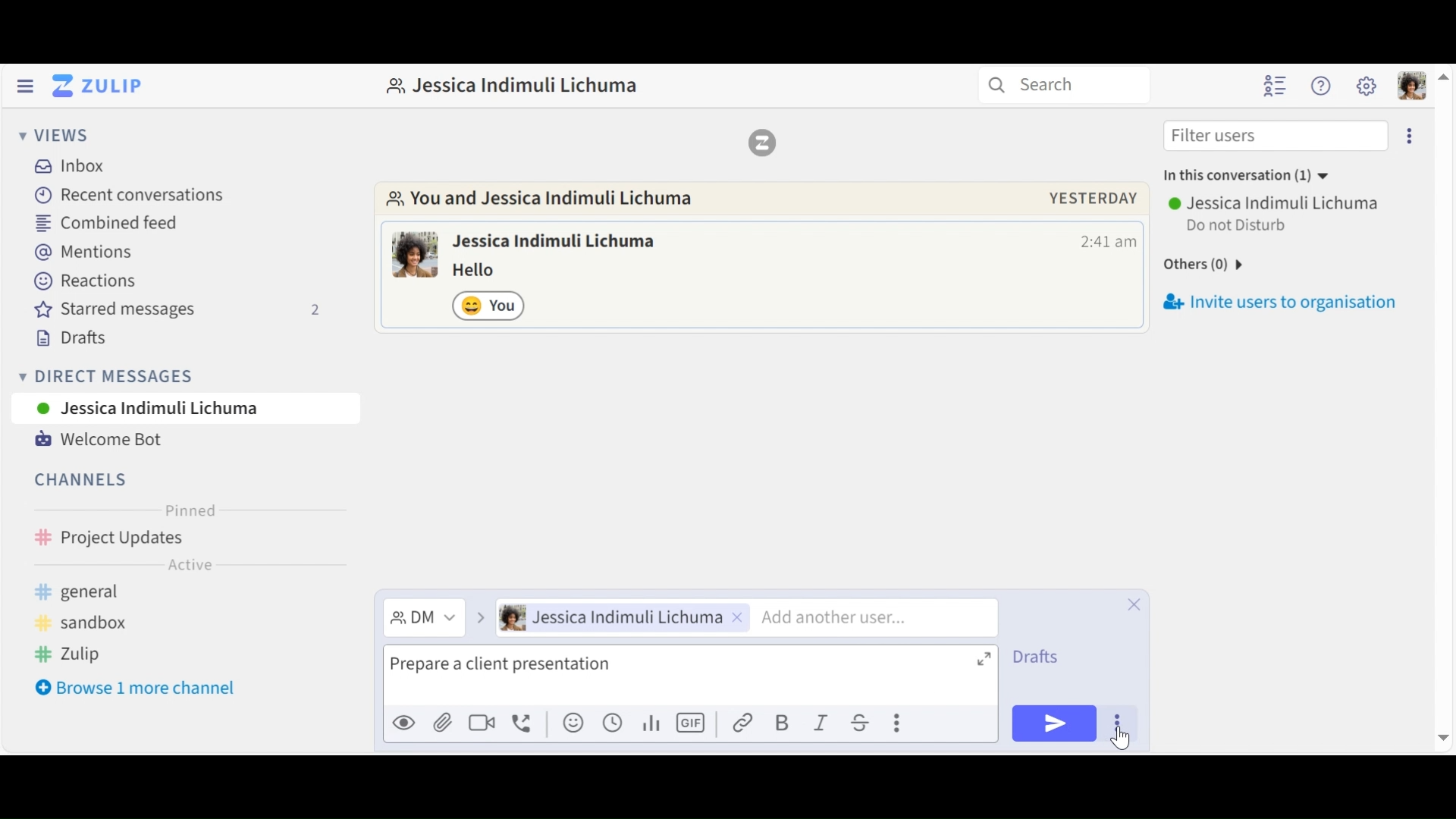 This screenshot has height=819, width=1456. What do you see at coordinates (1049, 654) in the screenshot?
I see `Drafts` at bounding box center [1049, 654].